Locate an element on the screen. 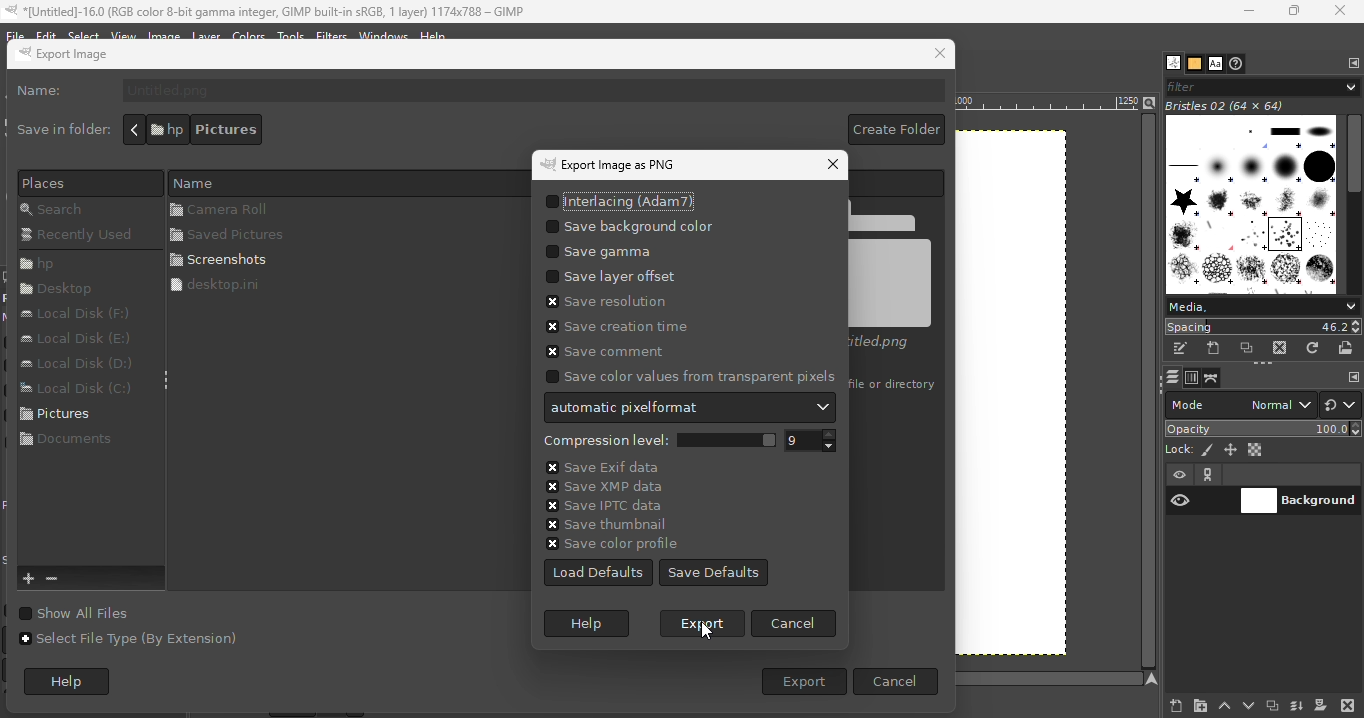 The width and height of the screenshot is (1364, 718). go backward is located at coordinates (134, 129).